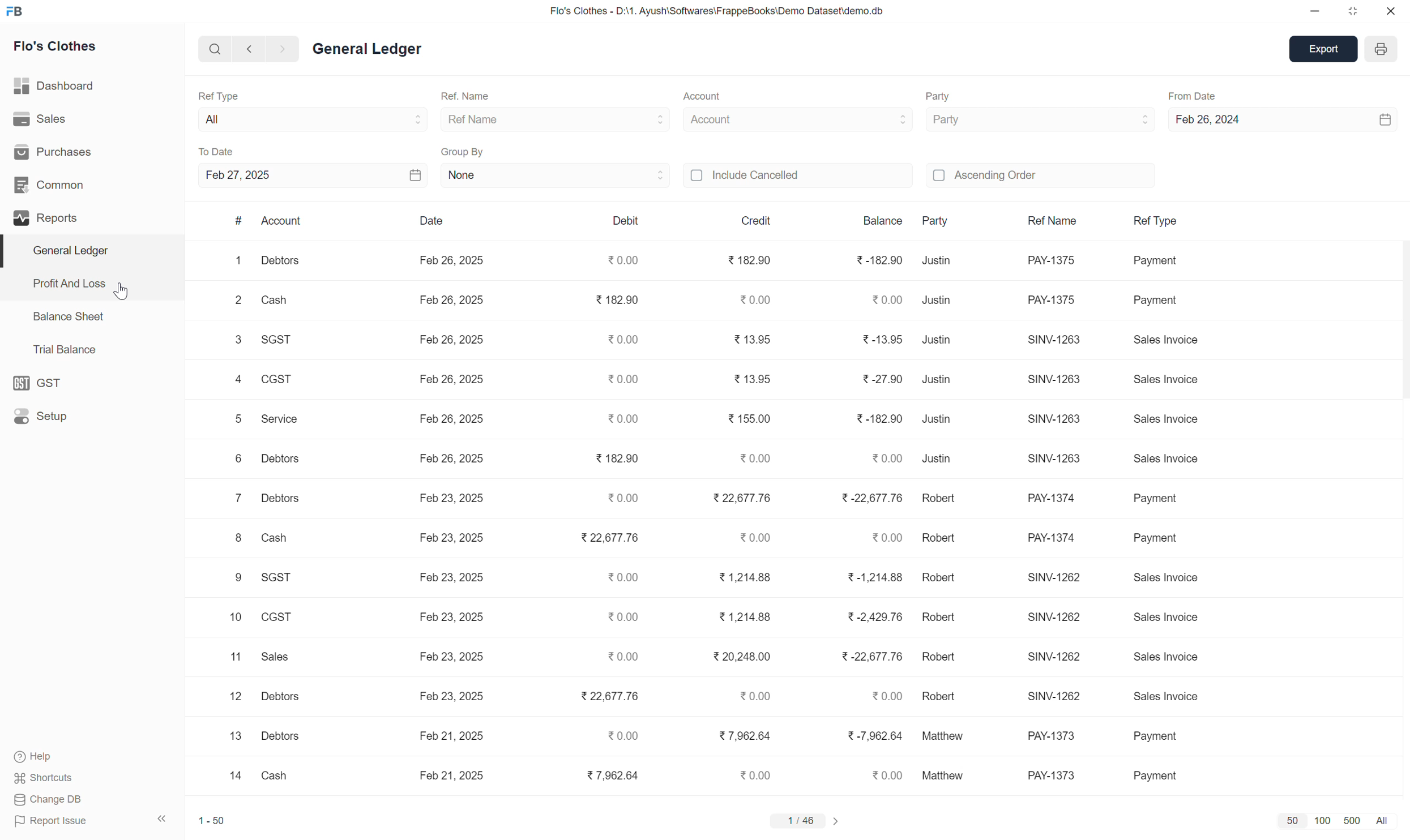  What do you see at coordinates (38, 118) in the screenshot?
I see `sales` at bounding box center [38, 118].